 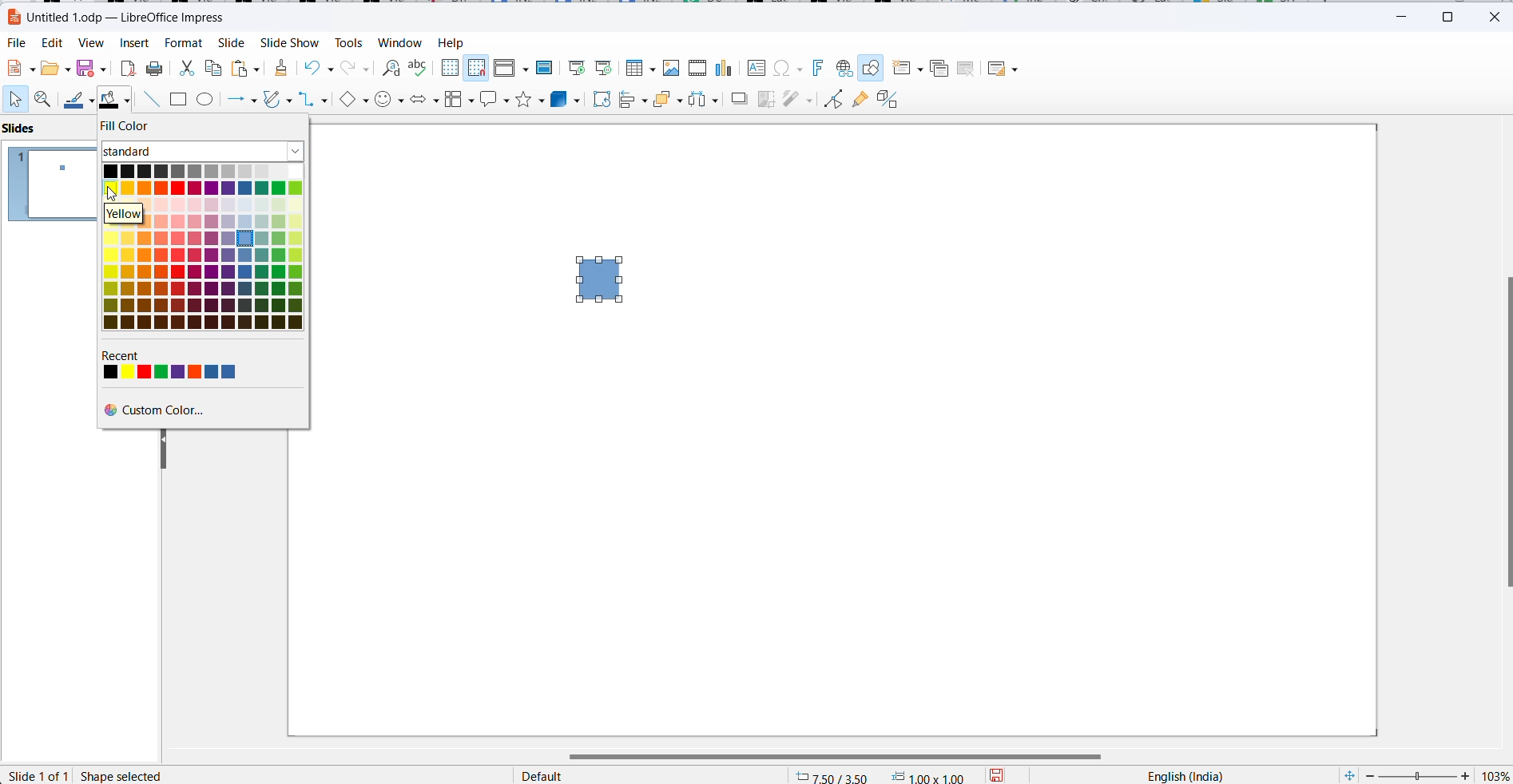 I want to click on block arrows, so click(x=424, y=100).